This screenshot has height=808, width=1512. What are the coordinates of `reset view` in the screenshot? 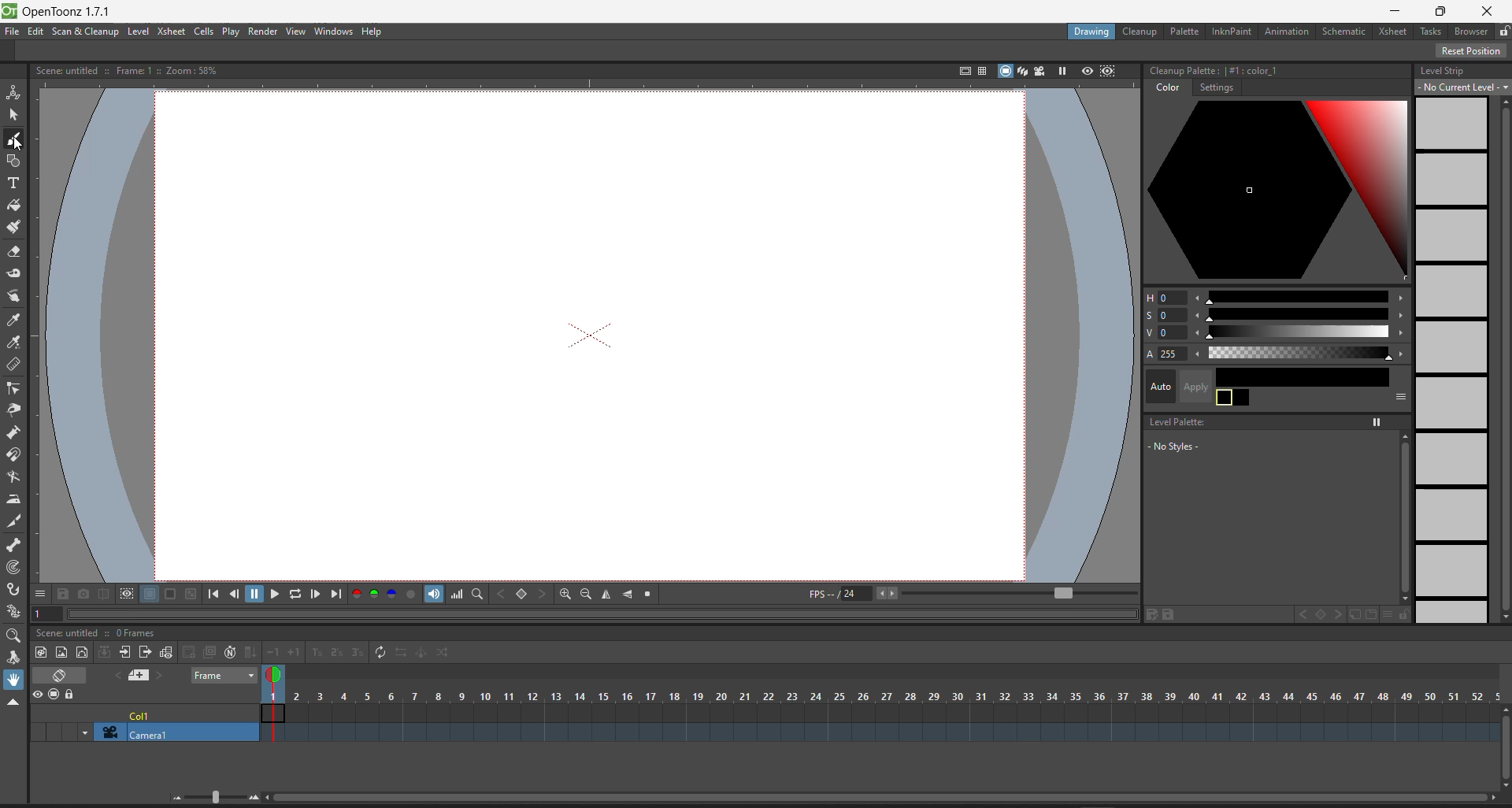 It's located at (650, 595).